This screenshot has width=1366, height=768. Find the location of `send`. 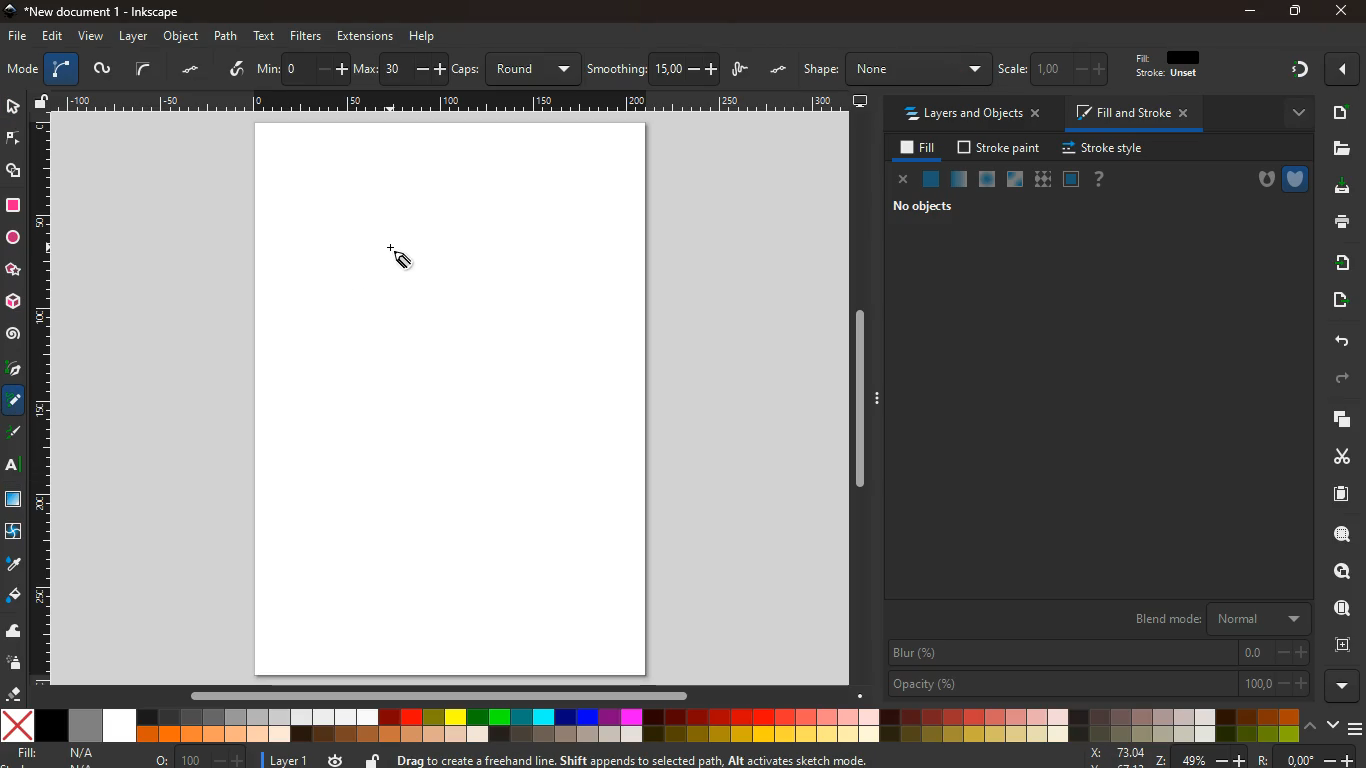

send is located at coordinates (1338, 300).